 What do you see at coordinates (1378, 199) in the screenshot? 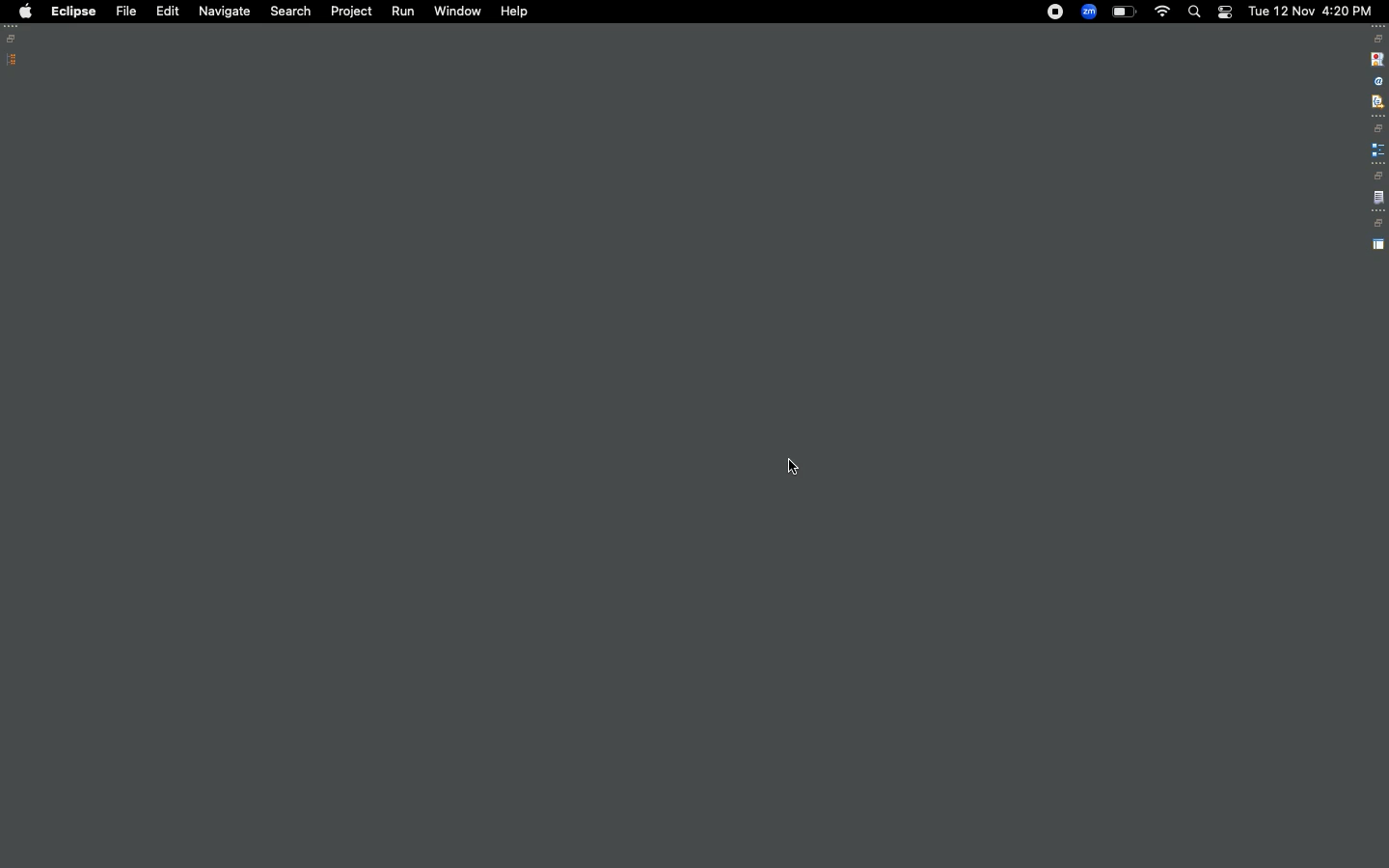
I see `file` at bounding box center [1378, 199].